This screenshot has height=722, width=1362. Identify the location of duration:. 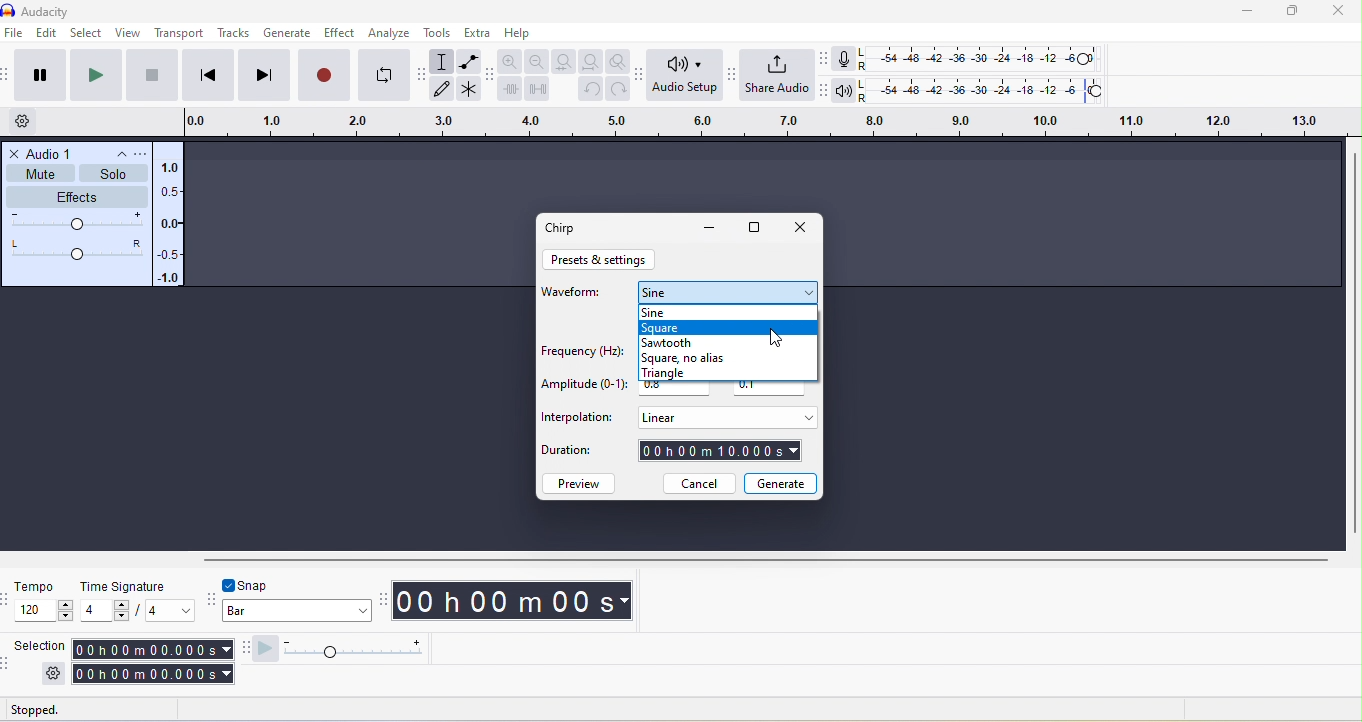
(578, 454).